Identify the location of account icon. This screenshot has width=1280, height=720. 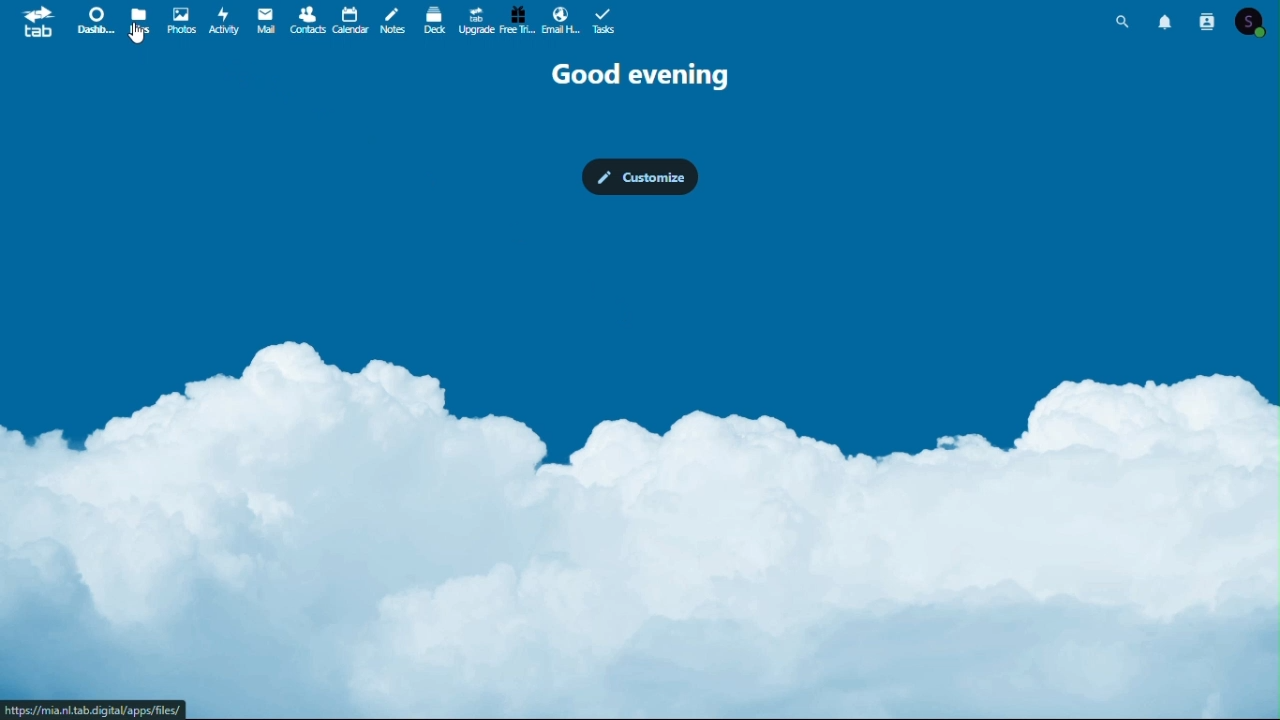
(1255, 20).